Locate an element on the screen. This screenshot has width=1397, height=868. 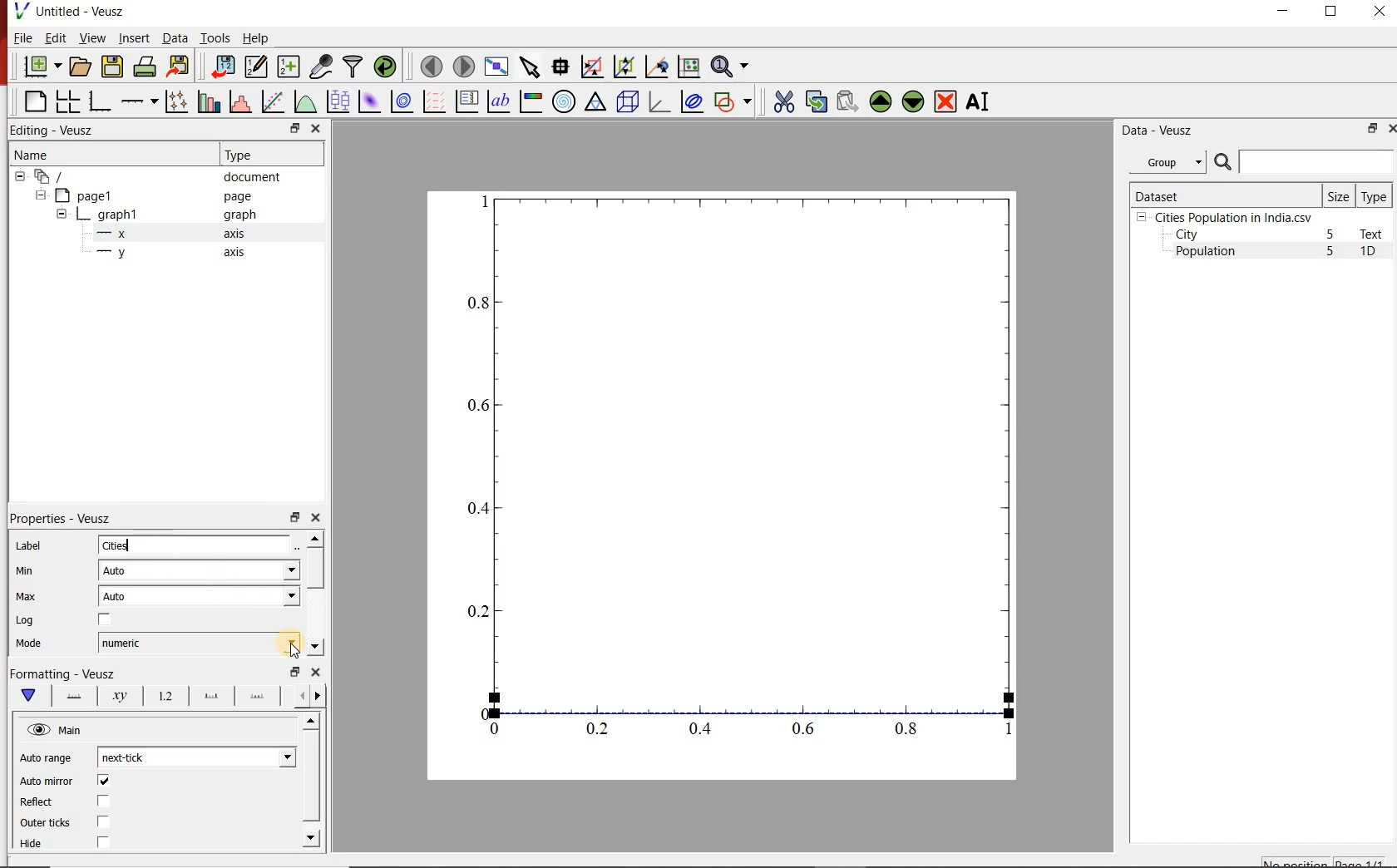
plot box plots is located at coordinates (337, 101).